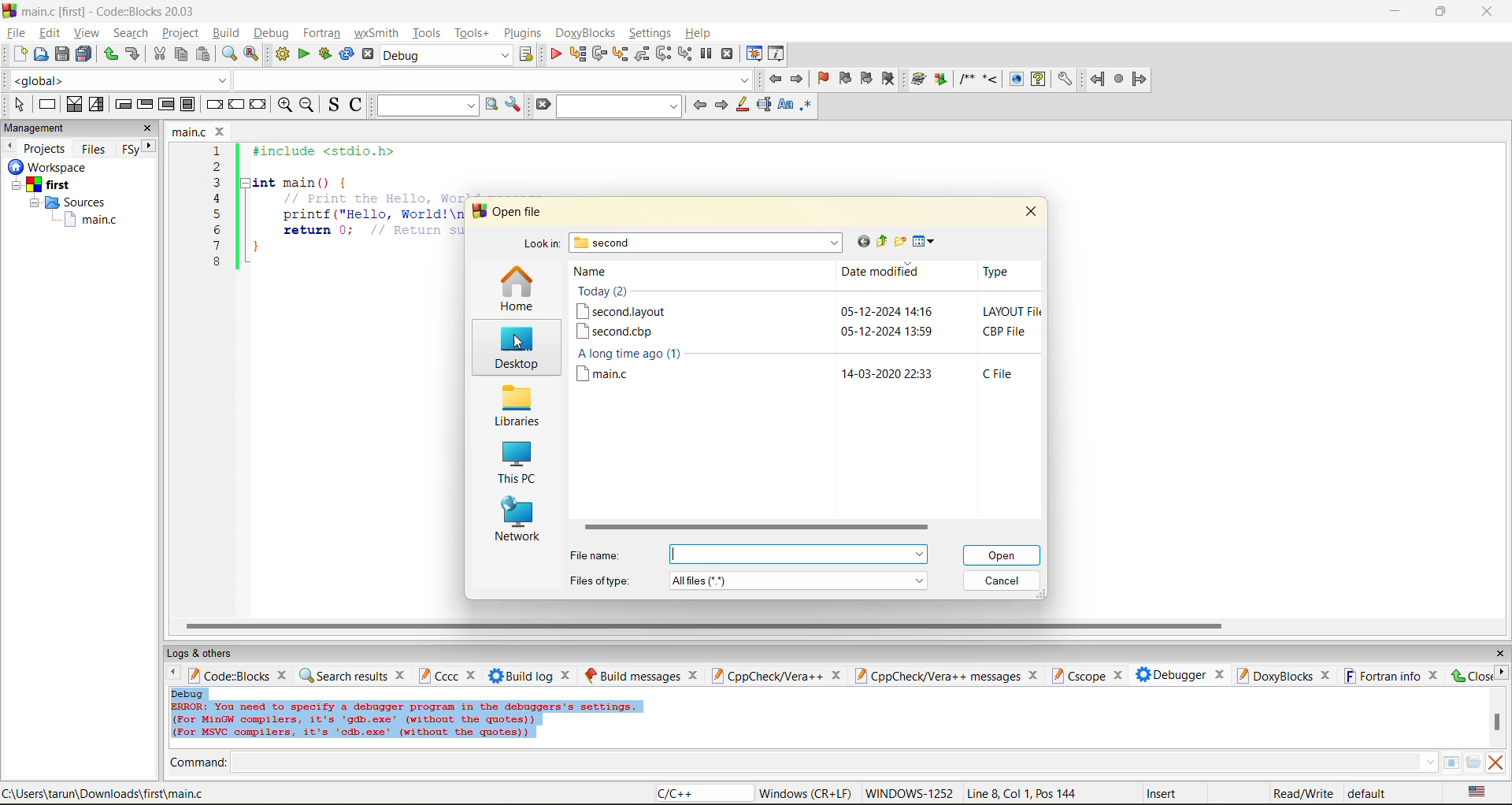  Describe the element at coordinates (513, 105) in the screenshot. I see `show options window` at that location.